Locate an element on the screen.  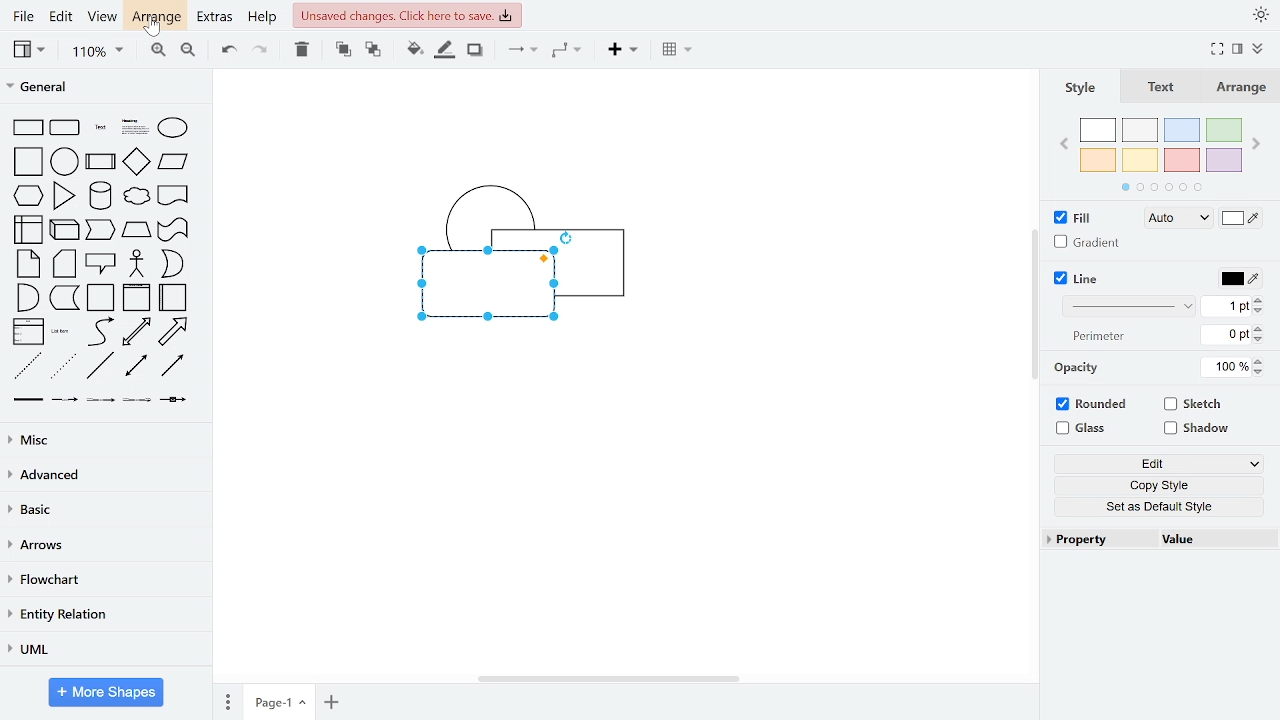
decrease perimeter is located at coordinates (1259, 339).